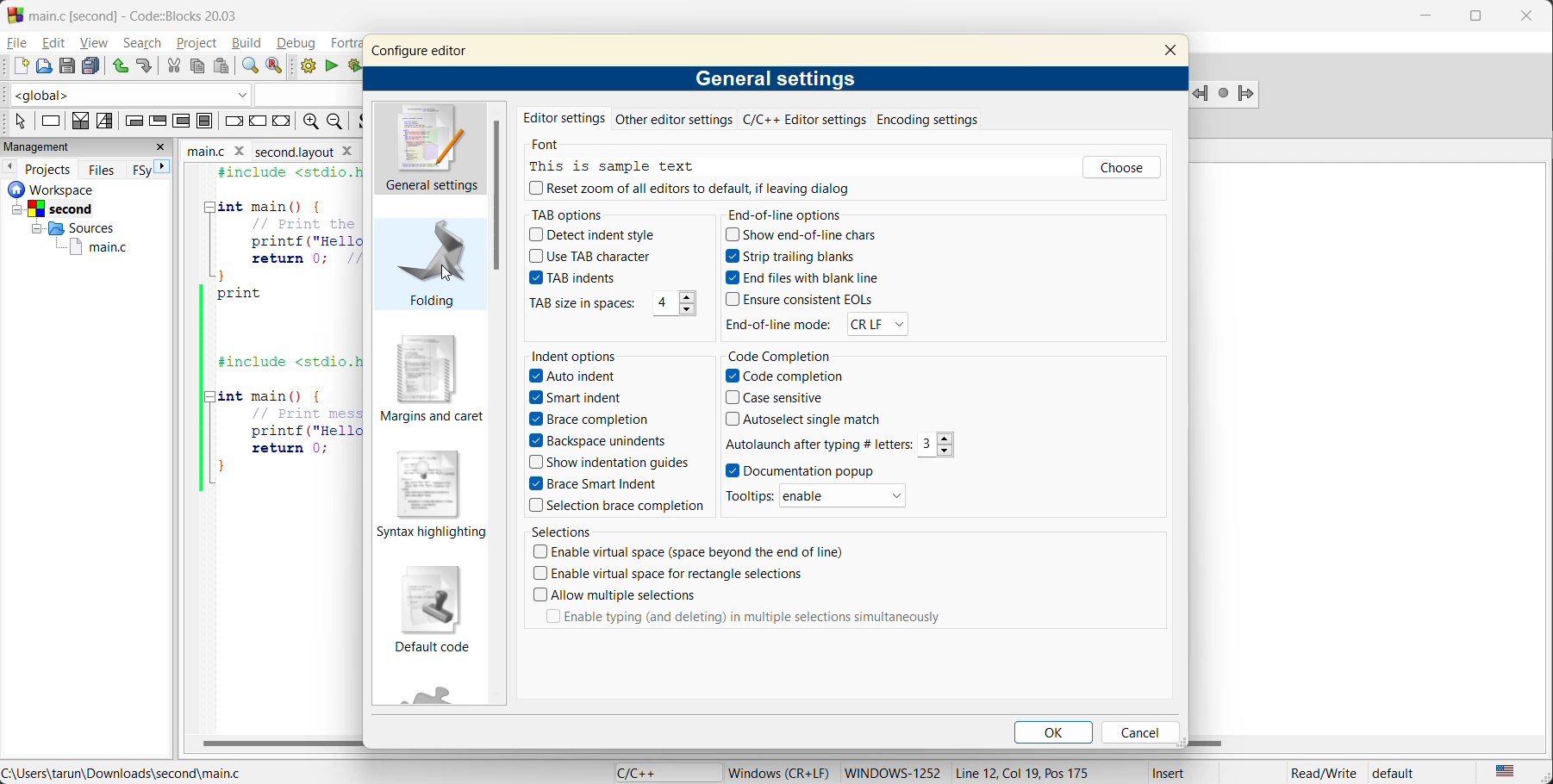 Image resolution: width=1553 pixels, height=784 pixels. Describe the element at coordinates (1529, 17) in the screenshot. I see `close` at that location.